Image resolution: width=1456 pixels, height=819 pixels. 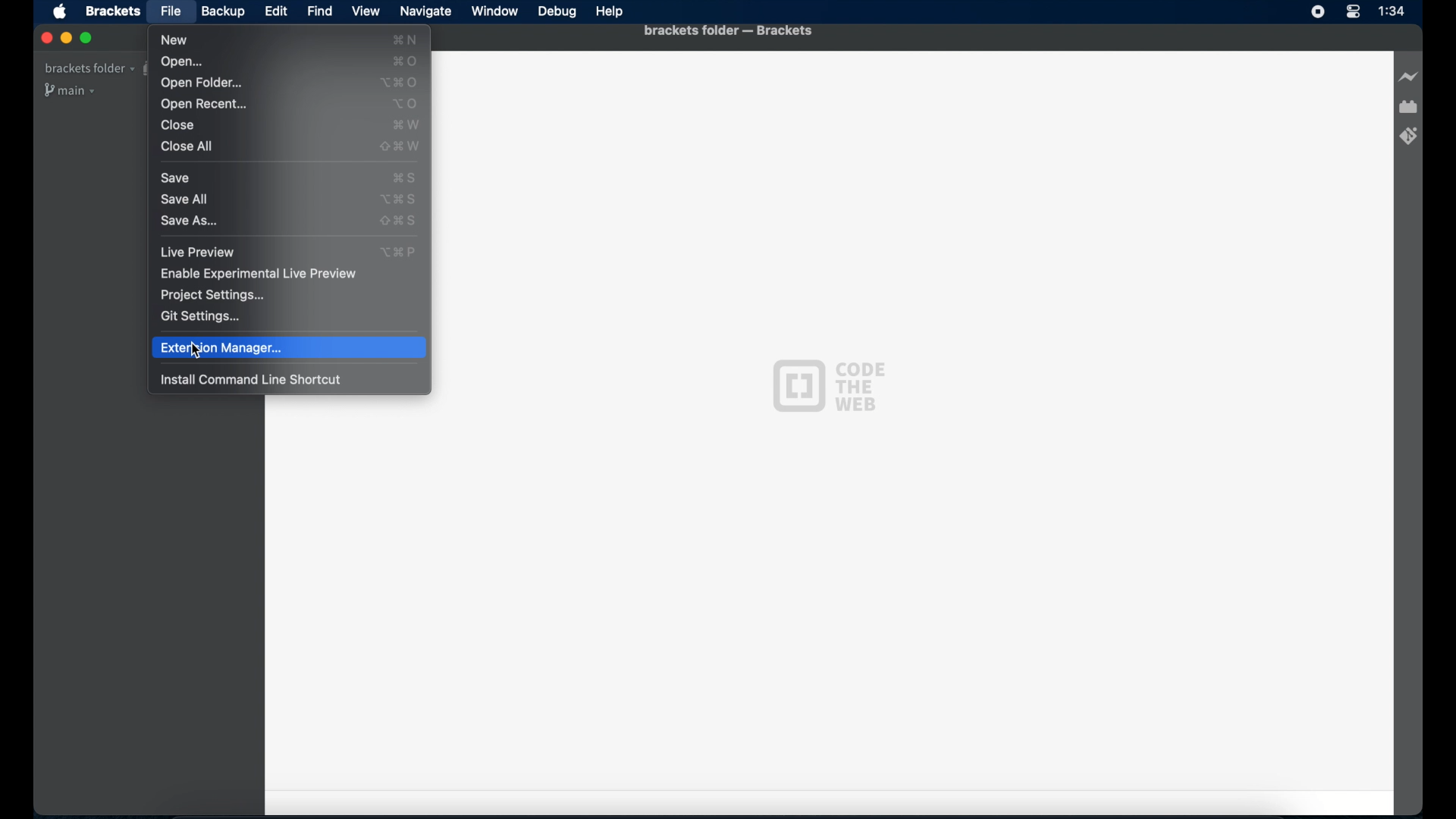 What do you see at coordinates (205, 105) in the screenshot?
I see `Open recent` at bounding box center [205, 105].